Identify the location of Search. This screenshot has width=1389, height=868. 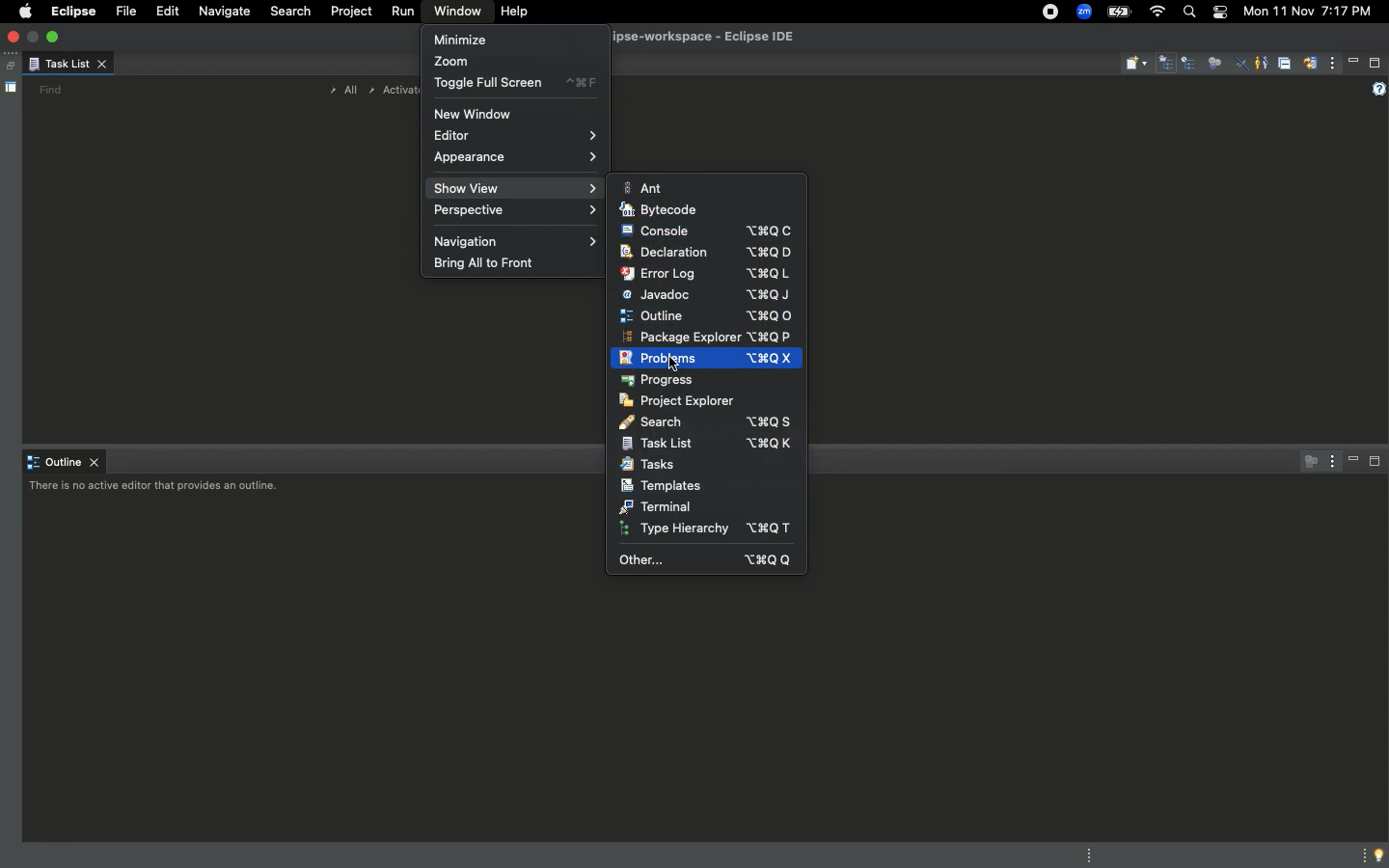
(704, 422).